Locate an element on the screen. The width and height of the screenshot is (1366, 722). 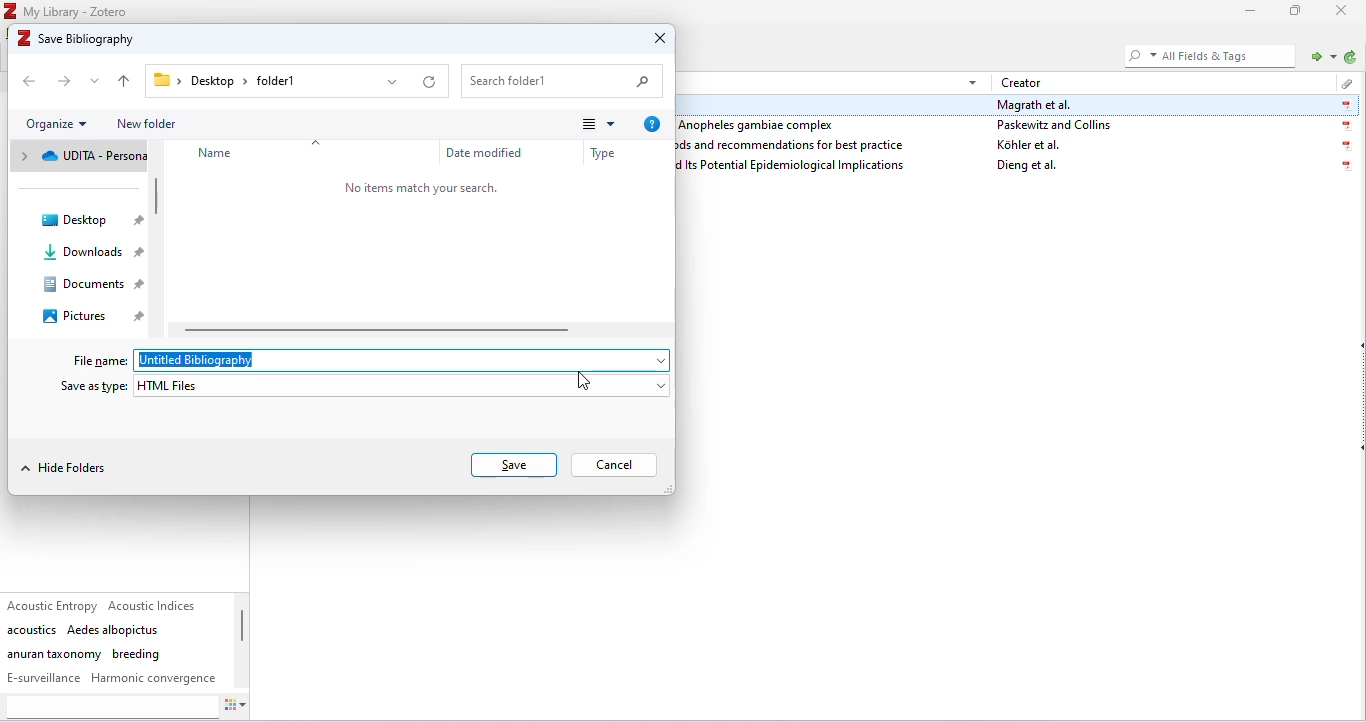
locate is located at coordinates (1319, 55).